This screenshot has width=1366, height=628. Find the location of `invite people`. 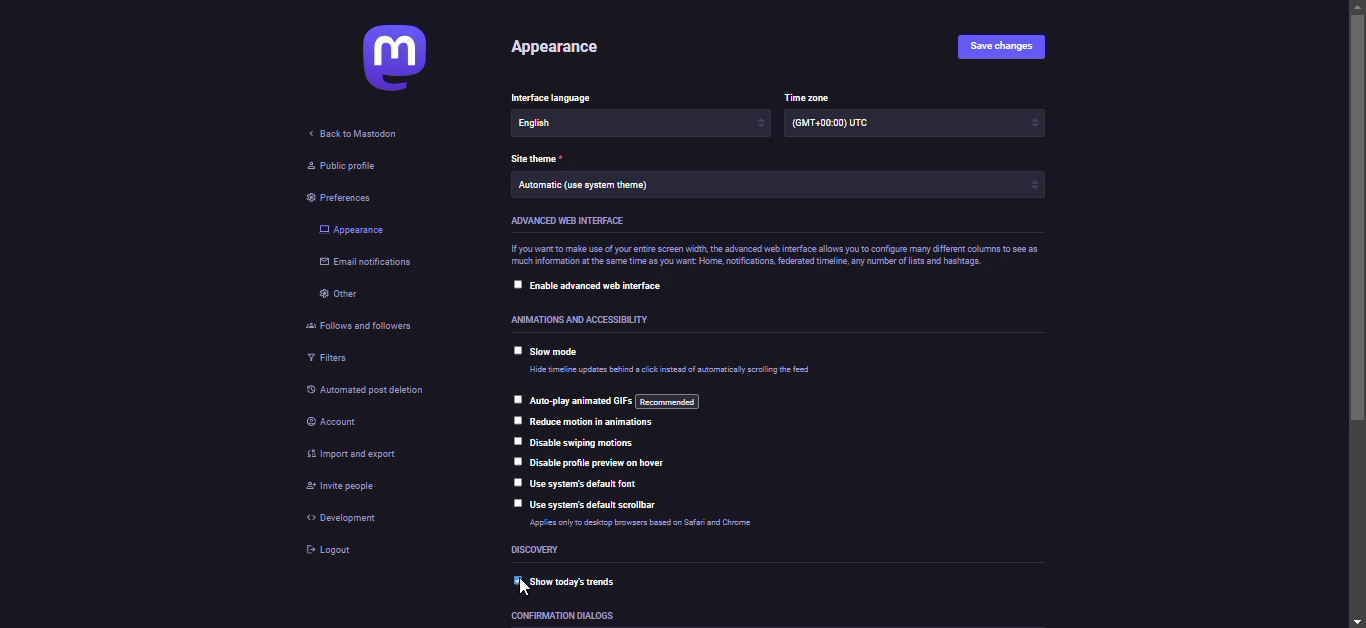

invite people is located at coordinates (339, 488).